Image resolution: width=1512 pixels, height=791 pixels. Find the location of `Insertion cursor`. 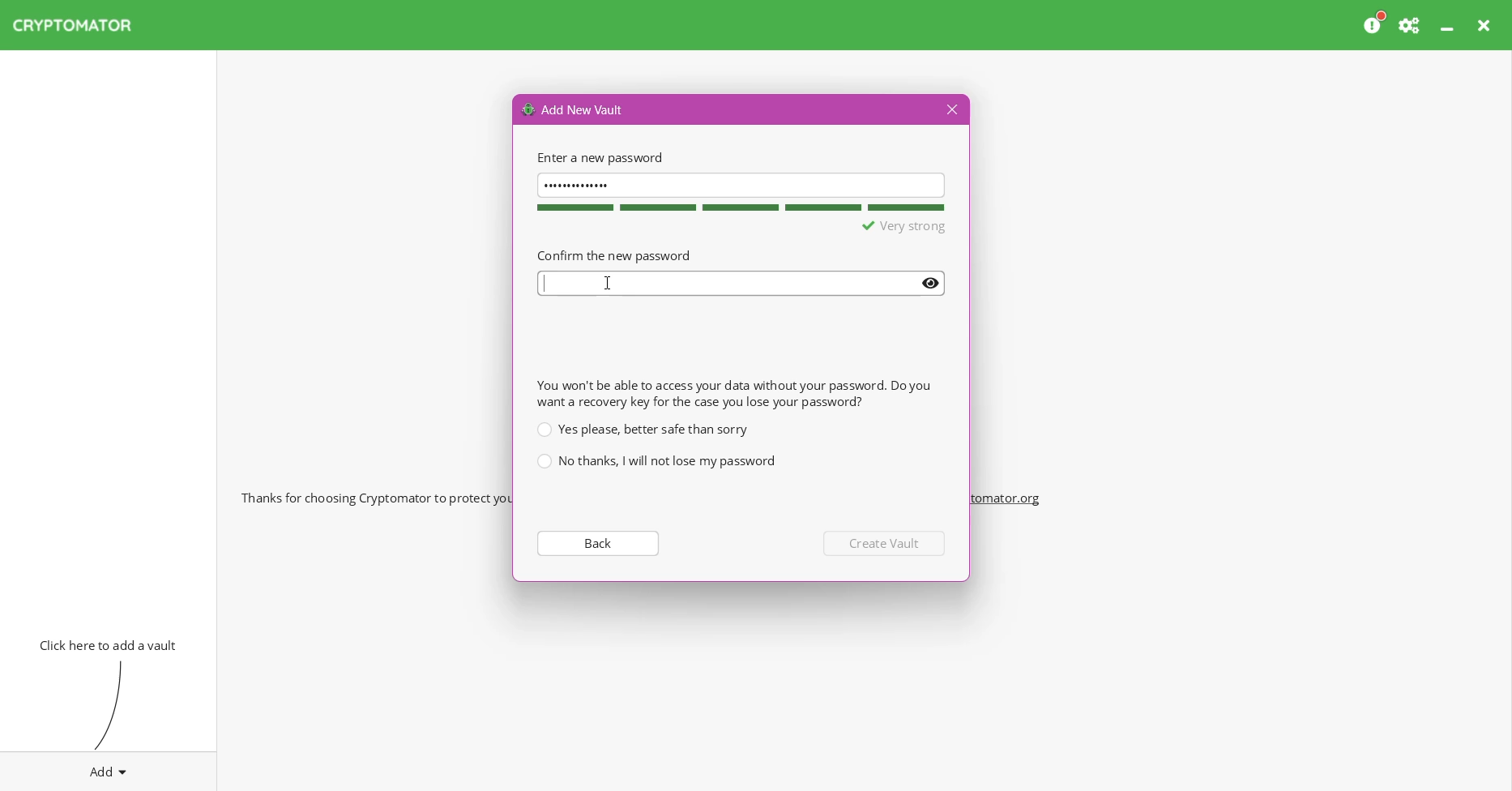

Insertion cursor is located at coordinates (609, 283).